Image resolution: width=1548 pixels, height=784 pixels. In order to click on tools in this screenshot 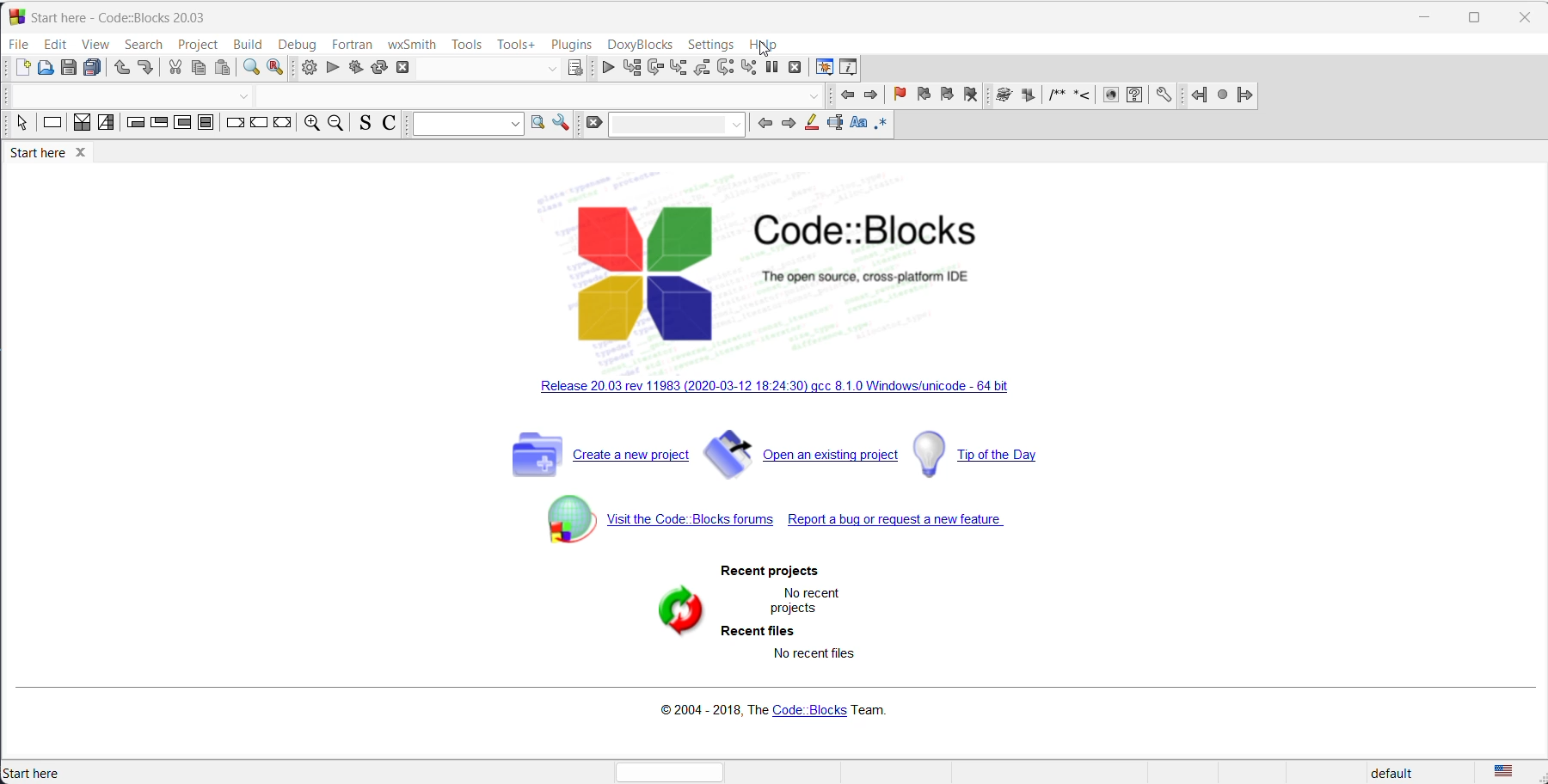, I will do `click(465, 45)`.